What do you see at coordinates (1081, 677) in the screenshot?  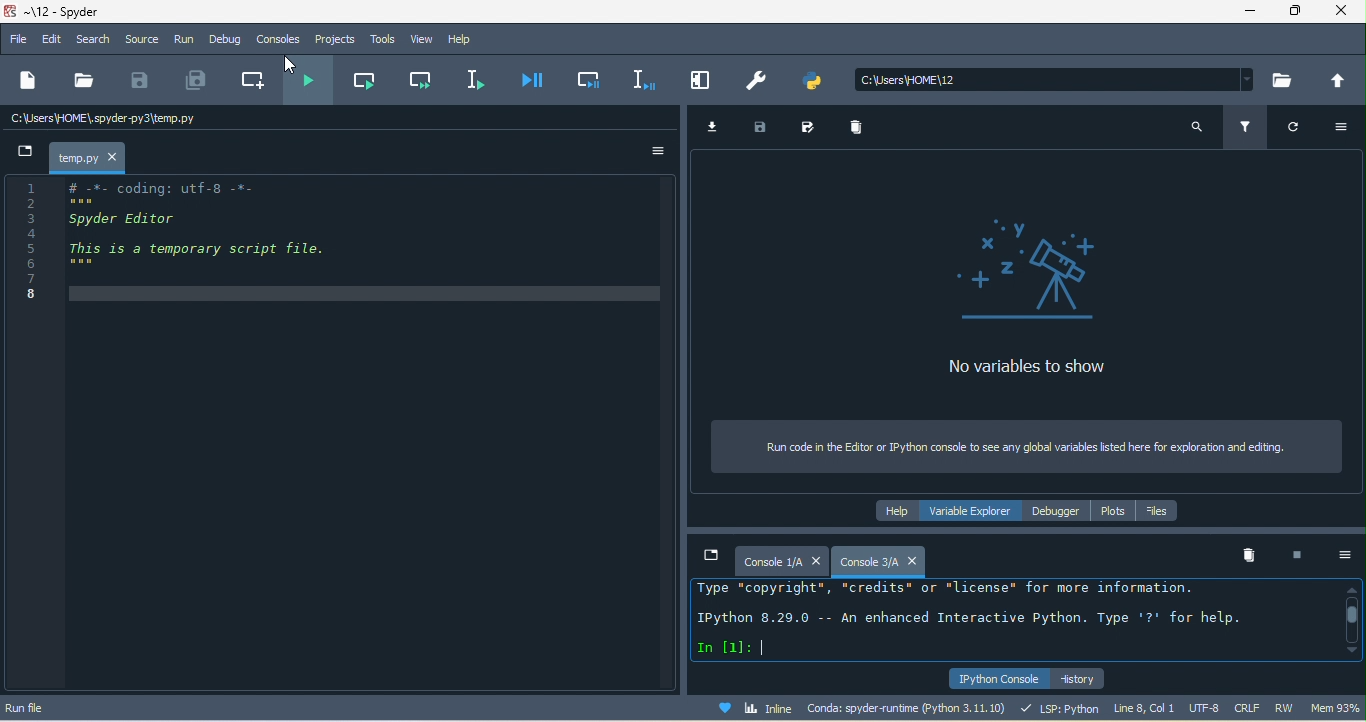 I see `history` at bounding box center [1081, 677].